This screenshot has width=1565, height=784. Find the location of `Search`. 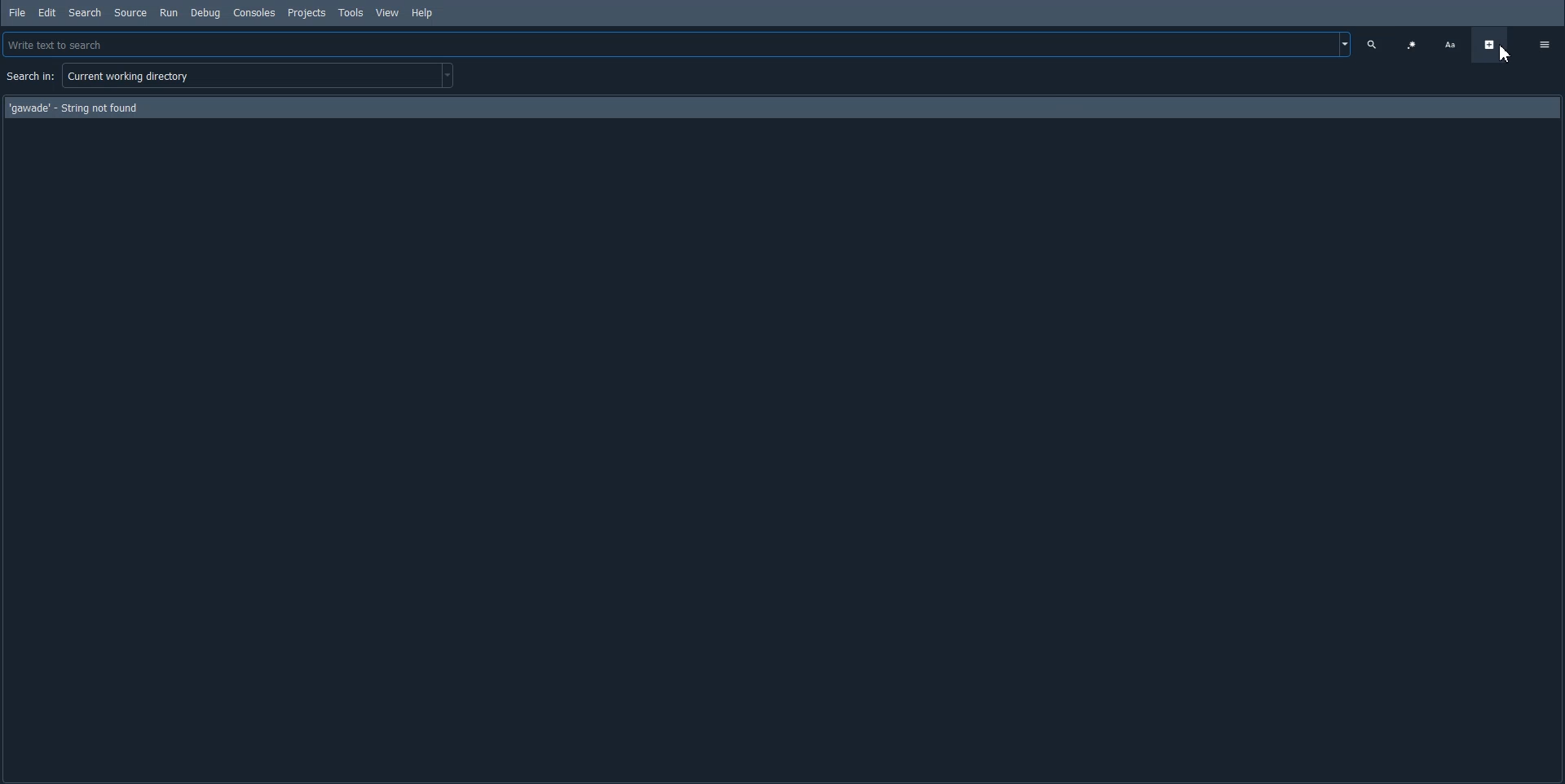

Search is located at coordinates (86, 13).